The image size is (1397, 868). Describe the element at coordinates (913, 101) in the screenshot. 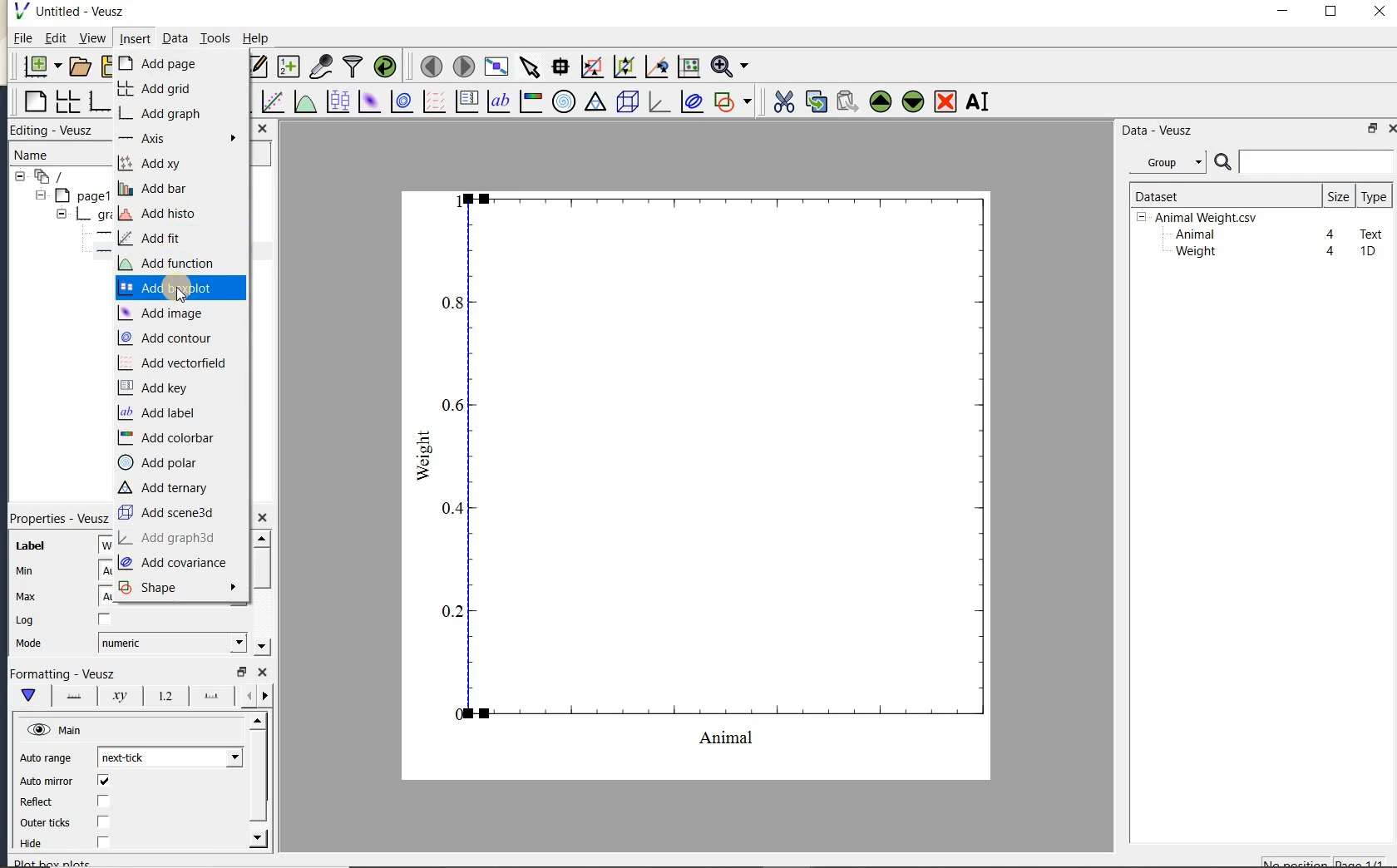

I see `move the selected widget down` at that location.